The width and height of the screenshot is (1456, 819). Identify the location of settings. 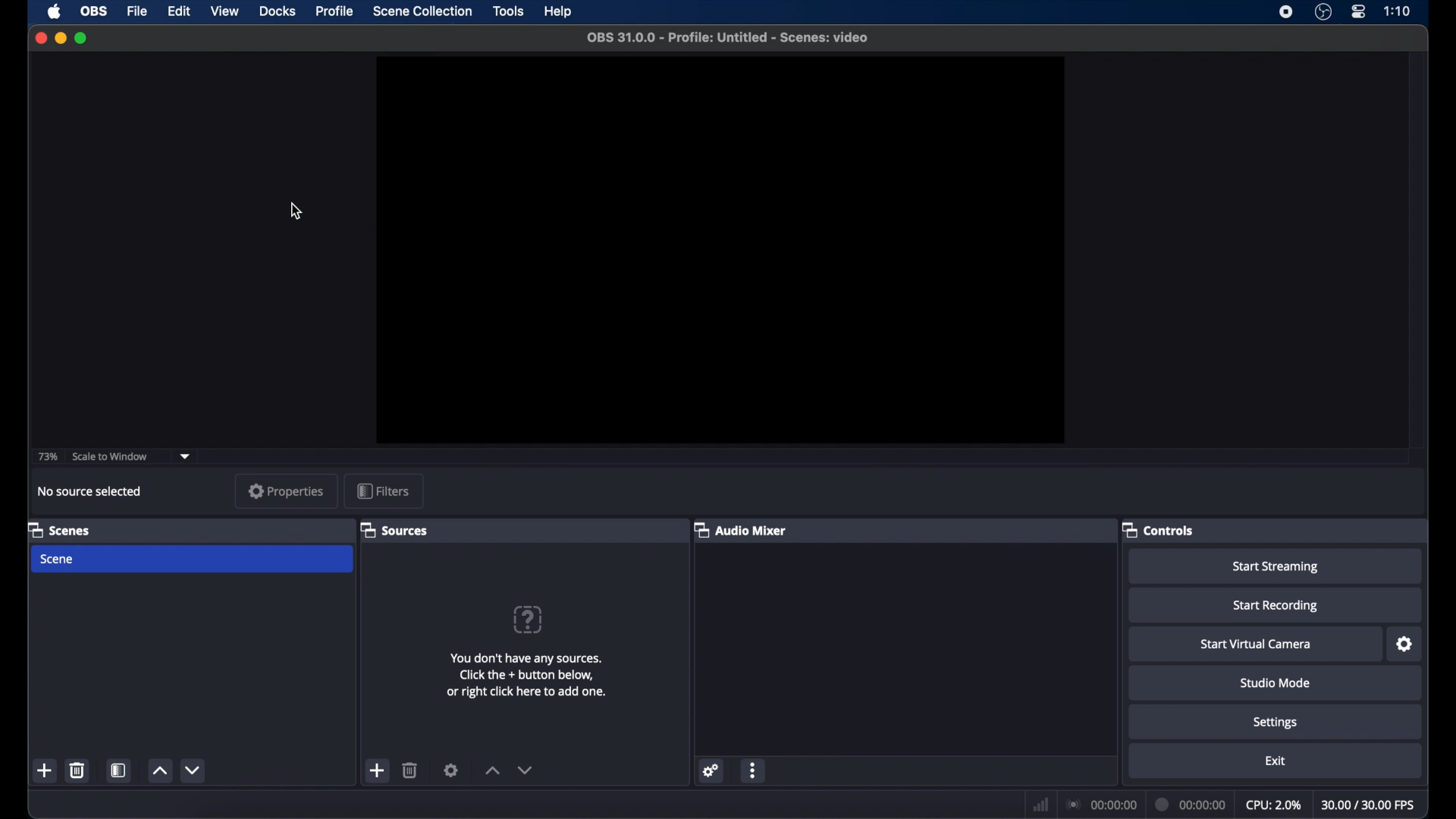
(711, 770).